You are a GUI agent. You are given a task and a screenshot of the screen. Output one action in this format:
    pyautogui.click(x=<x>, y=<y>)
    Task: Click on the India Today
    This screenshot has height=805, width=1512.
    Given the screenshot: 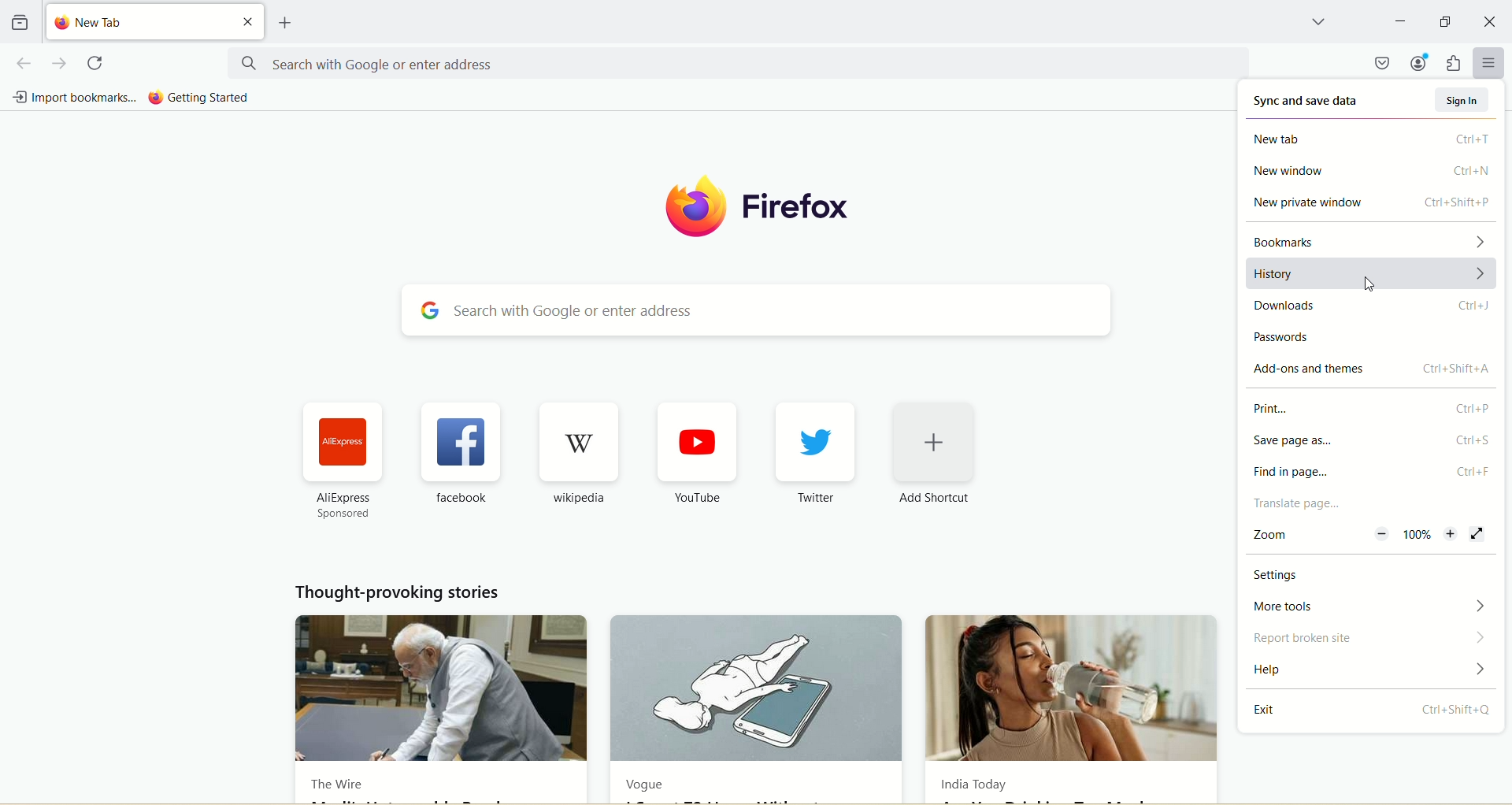 What is the action you would take?
    pyautogui.click(x=972, y=785)
    